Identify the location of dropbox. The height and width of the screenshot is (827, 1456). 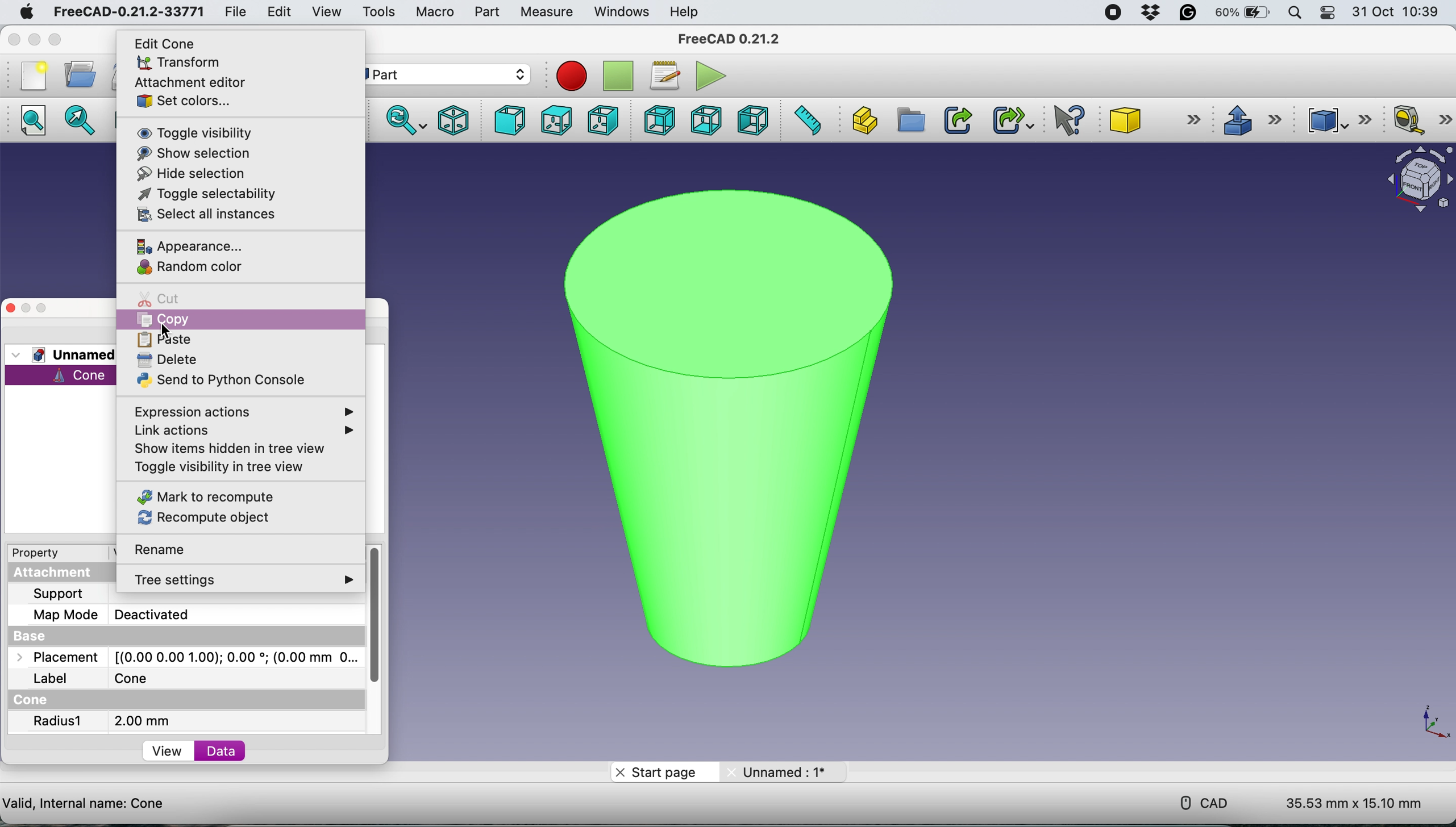
(1147, 13).